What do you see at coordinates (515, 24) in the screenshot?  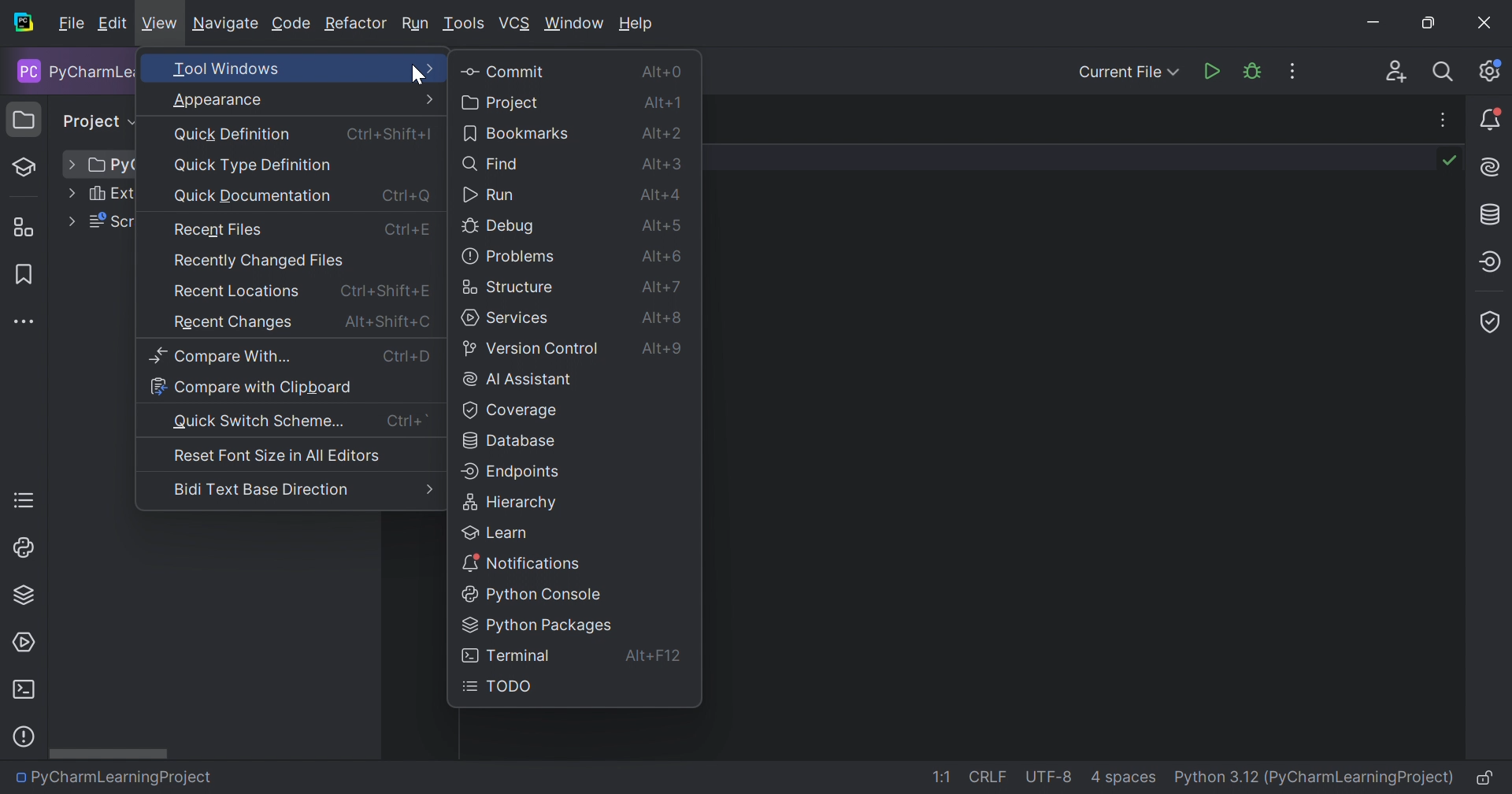 I see `VCS` at bounding box center [515, 24].